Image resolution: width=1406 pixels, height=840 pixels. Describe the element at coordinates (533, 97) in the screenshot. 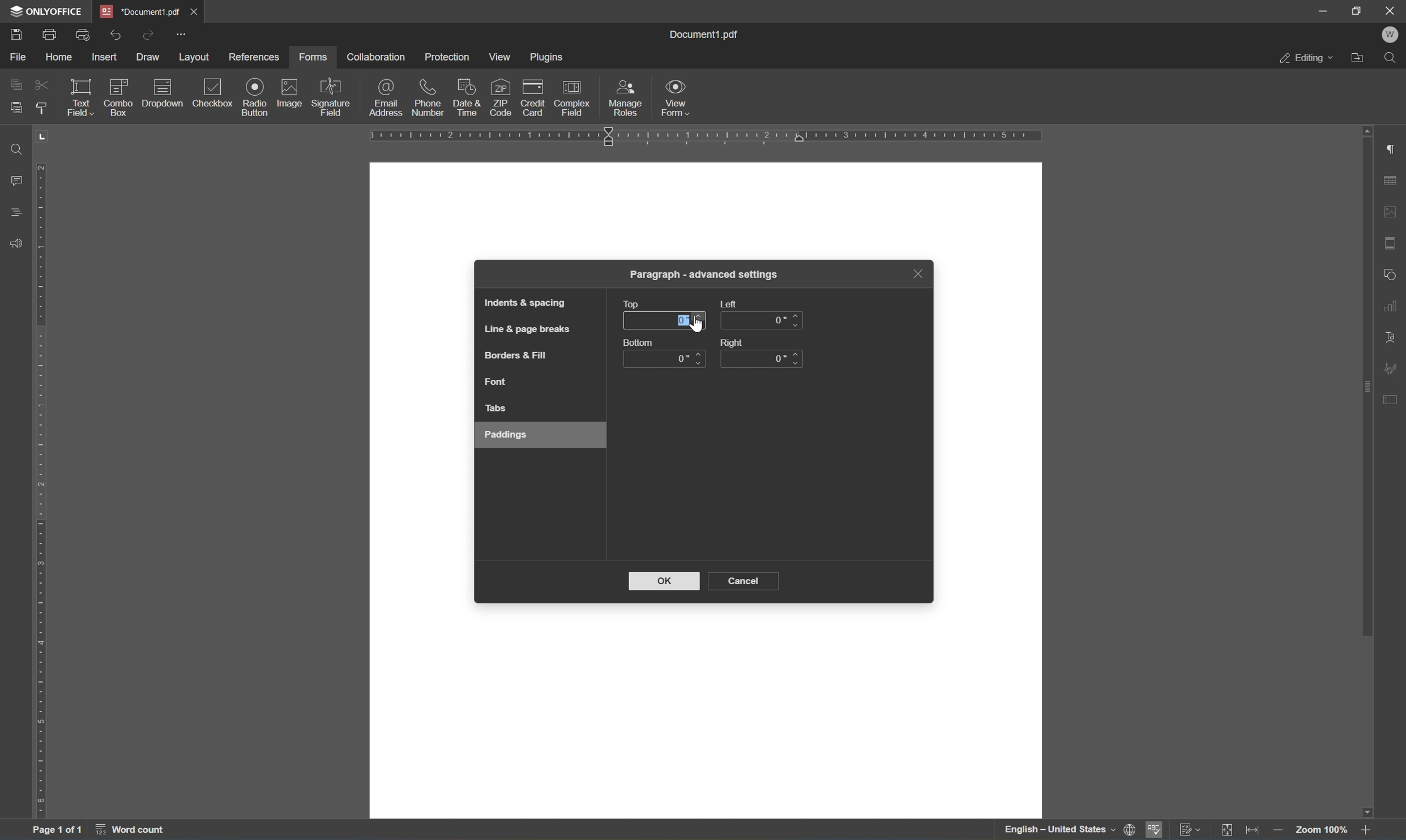

I see `credit card` at that location.